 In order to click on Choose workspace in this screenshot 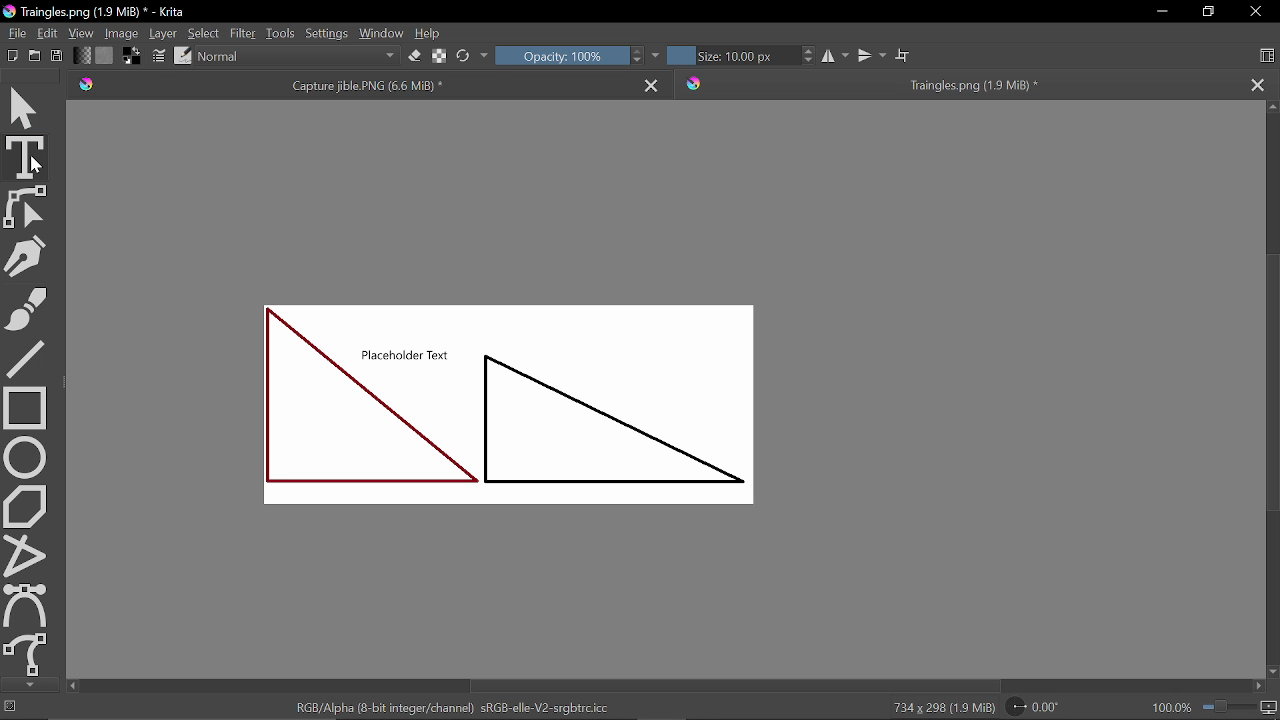, I will do `click(1266, 53)`.